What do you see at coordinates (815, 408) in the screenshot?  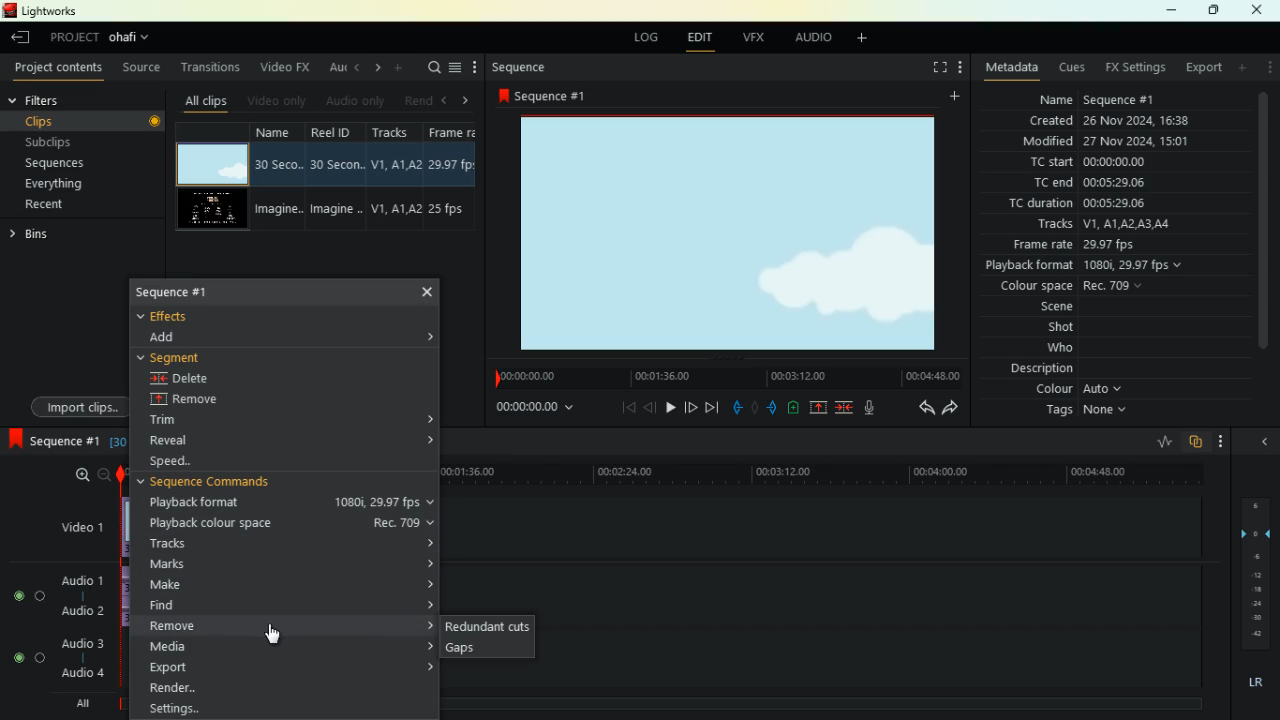 I see `up` at bounding box center [815, 408].